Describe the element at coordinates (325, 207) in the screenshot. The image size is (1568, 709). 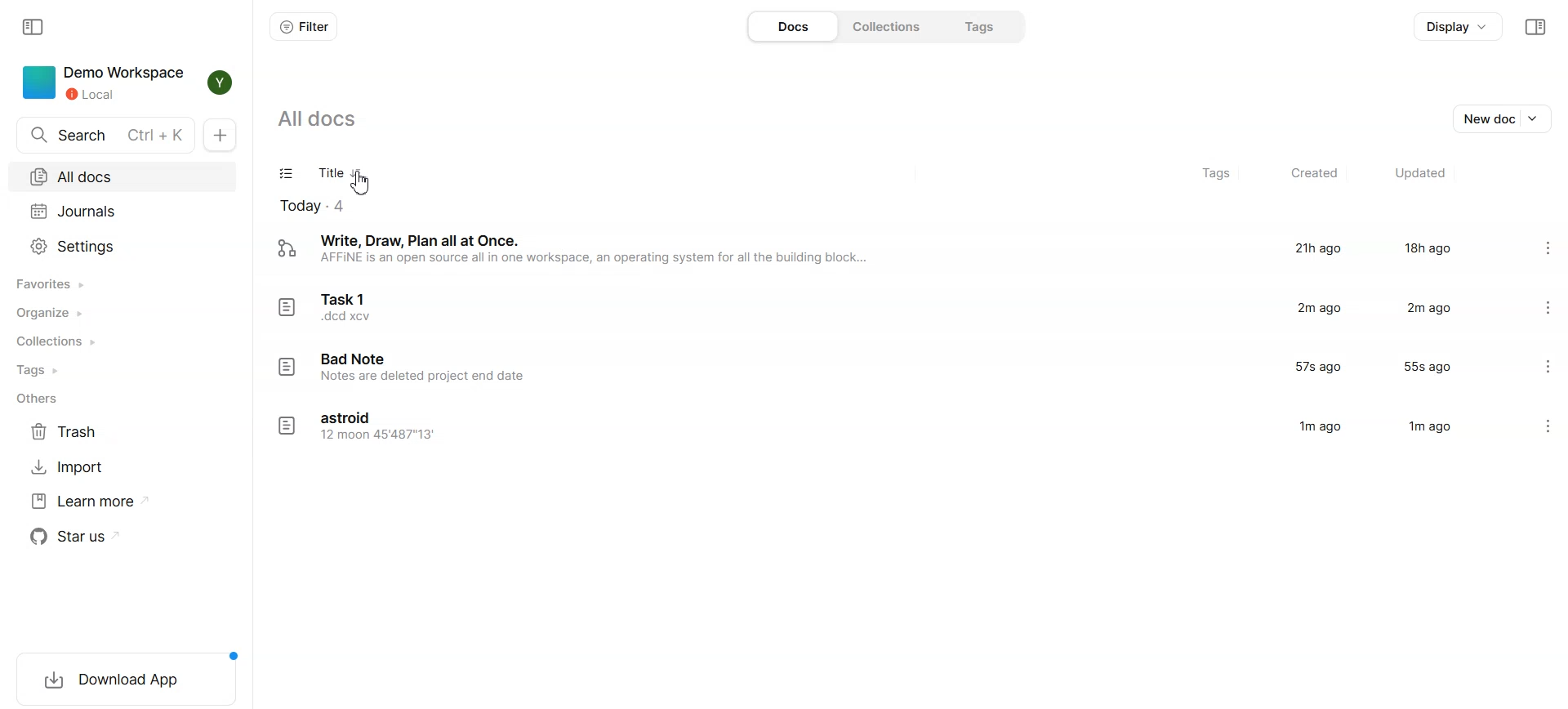
I see `Today` at that location.